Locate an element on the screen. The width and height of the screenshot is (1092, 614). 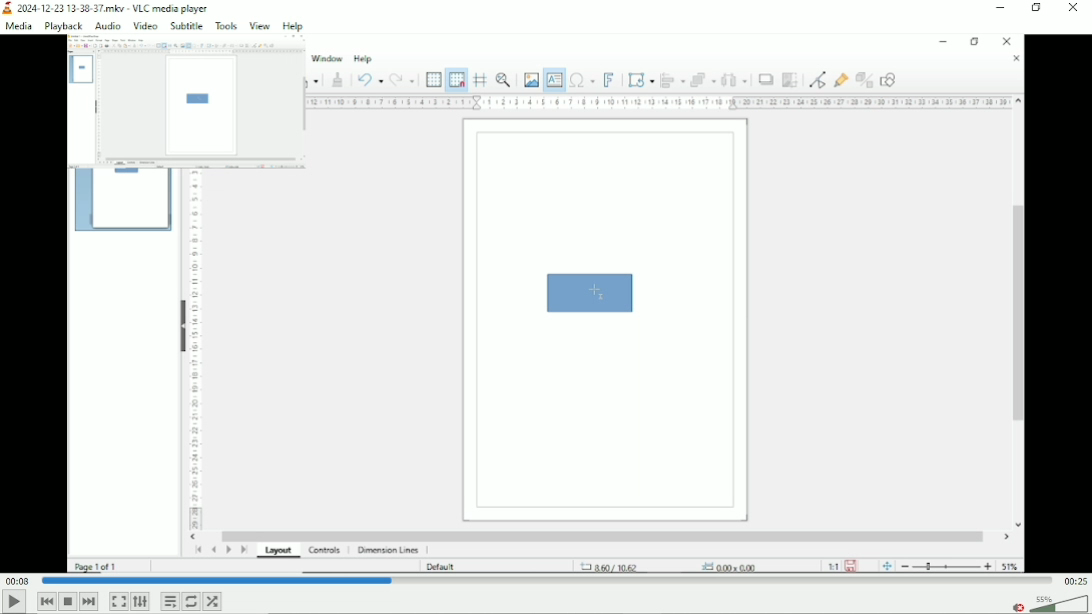
Minimize is located at coordinates (1003, 7).